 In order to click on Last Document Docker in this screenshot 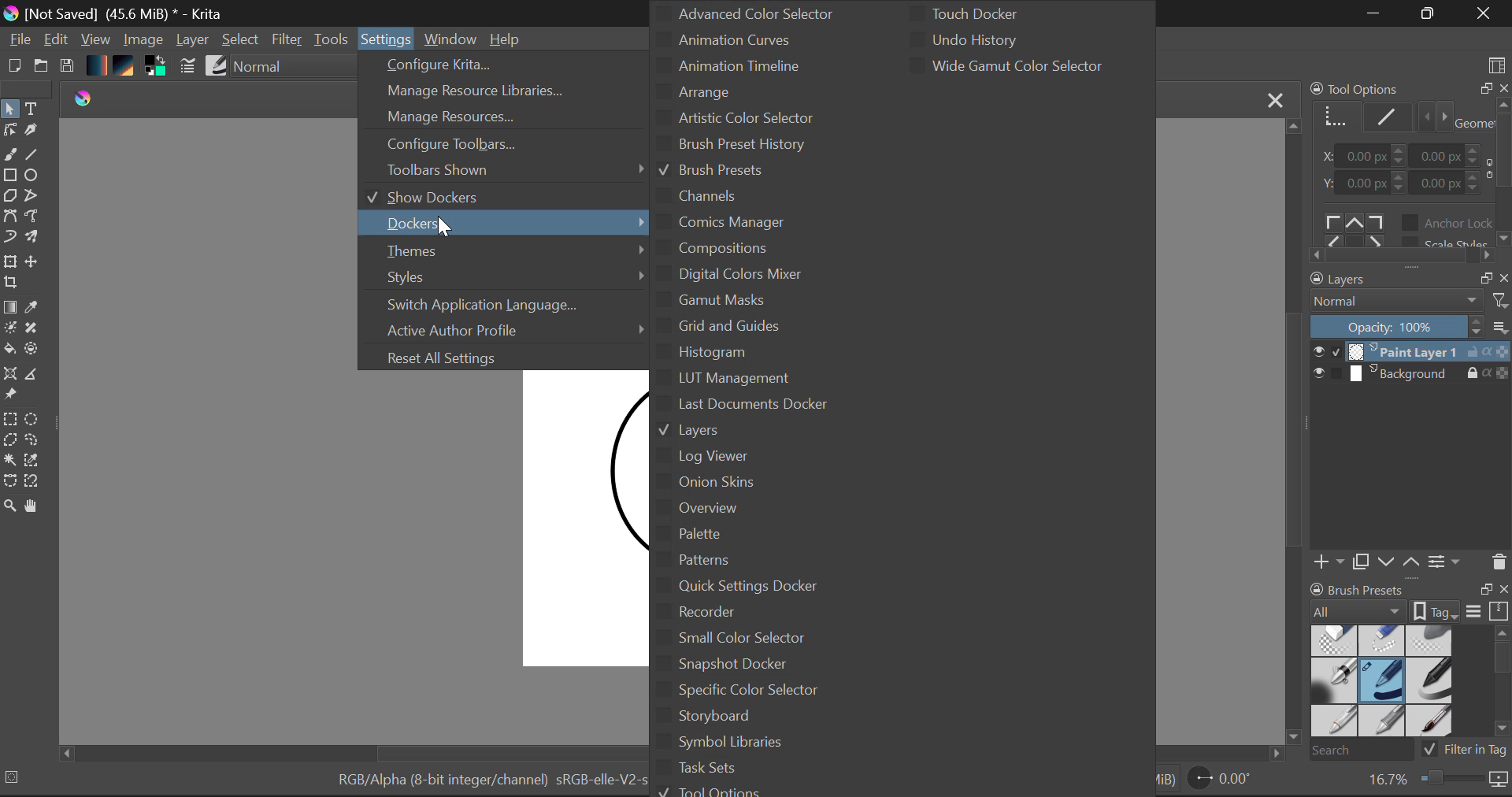, I will do `click(802, 406)`.